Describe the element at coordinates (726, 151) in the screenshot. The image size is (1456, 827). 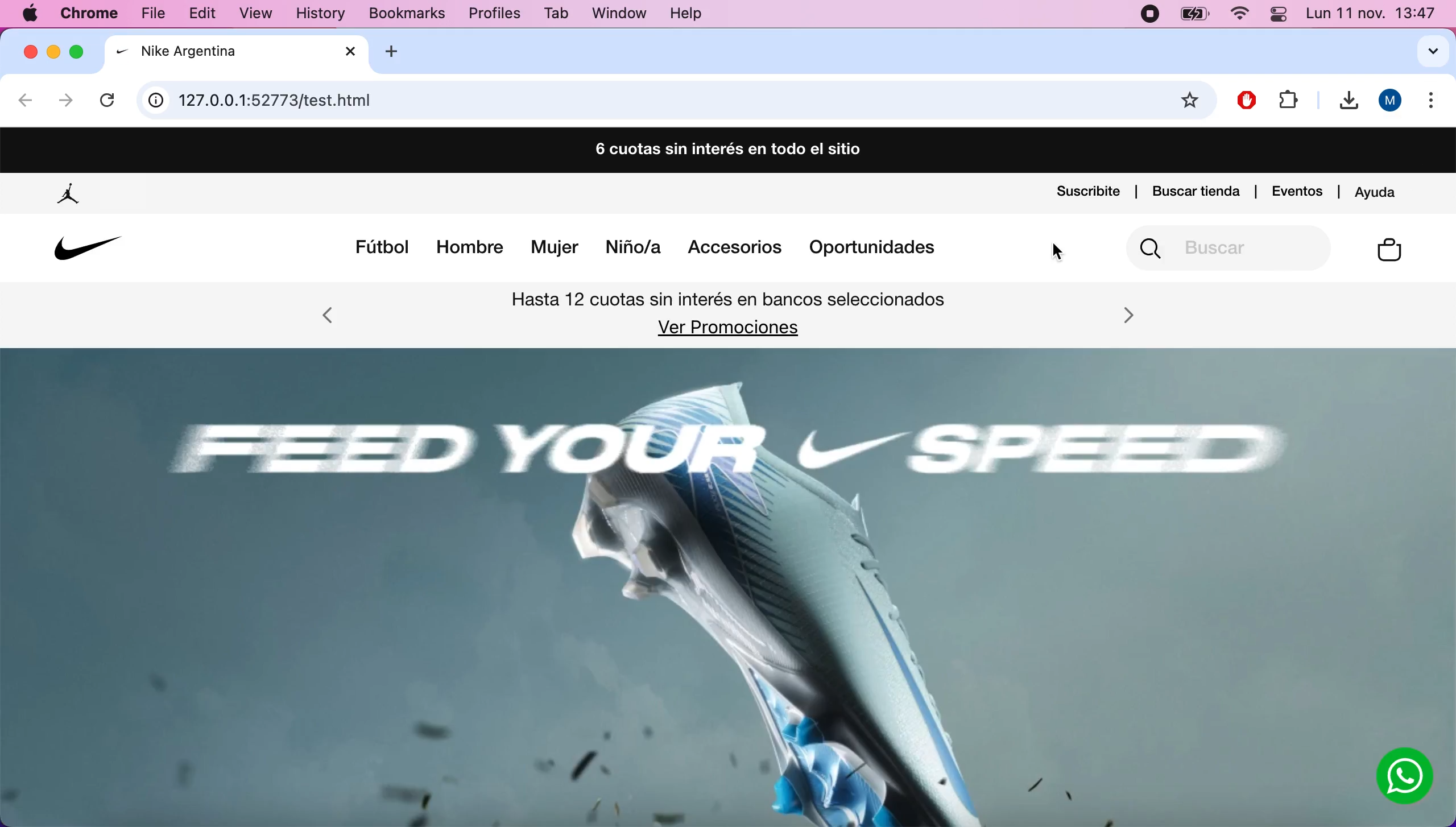
I see `6 interest-free installments across the entire site` at that location.